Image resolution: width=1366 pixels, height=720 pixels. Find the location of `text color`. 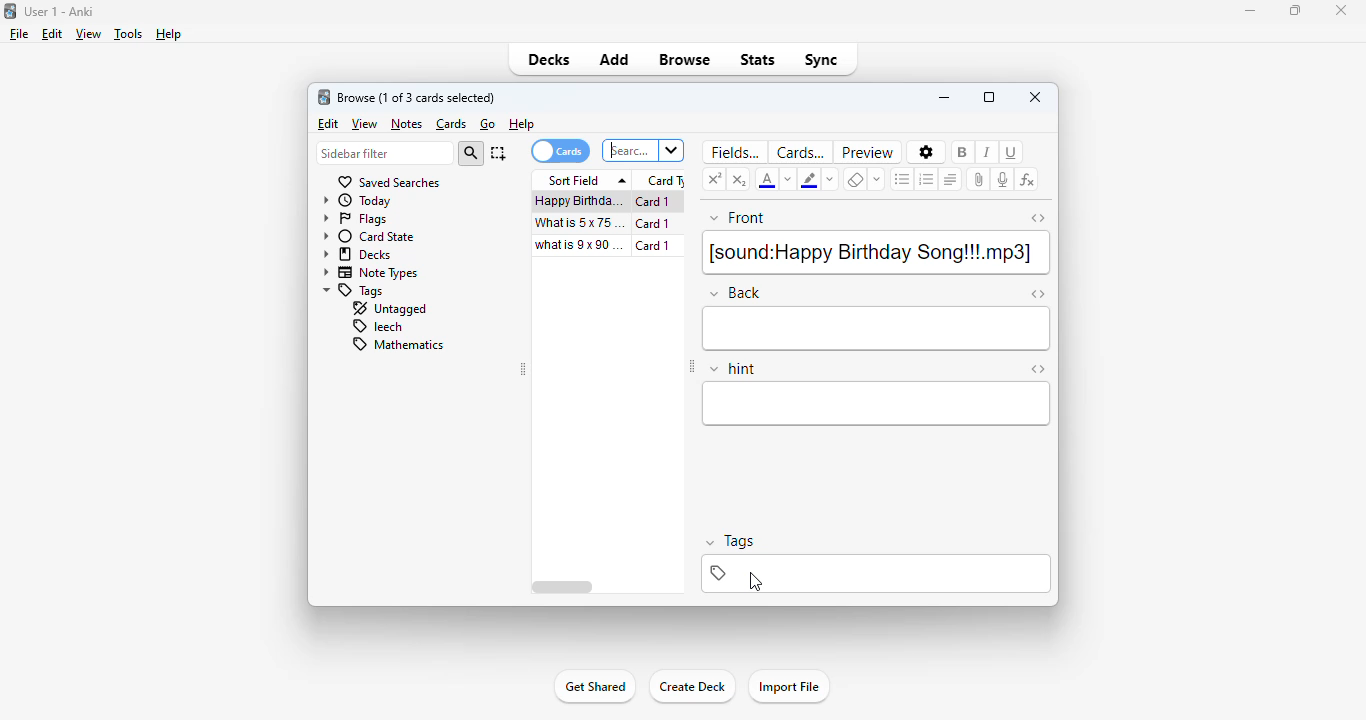

text color is located at coordinates (768, 179).